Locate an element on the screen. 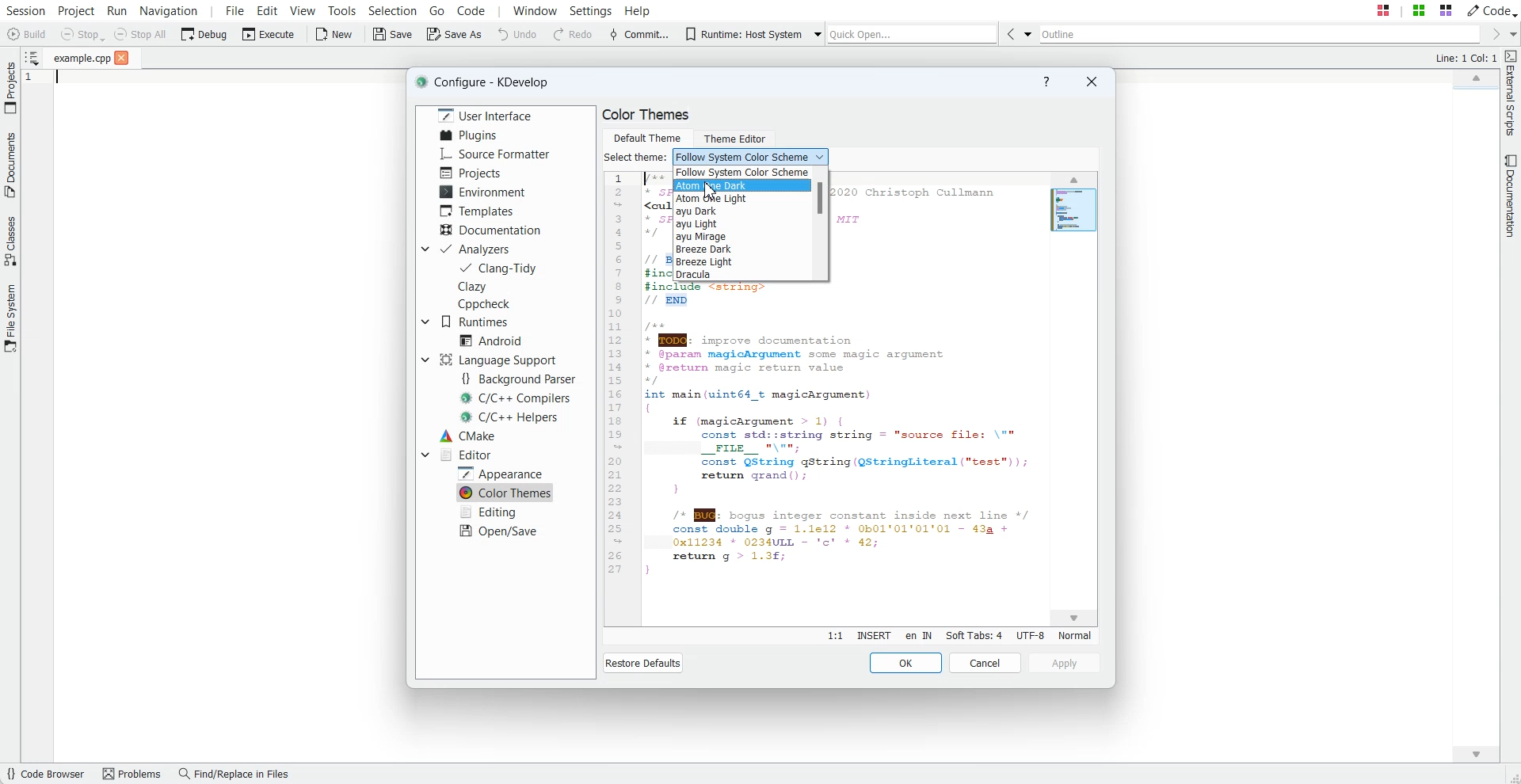 The image size is (1521, 784). Follow System color scheme is located at coordinates (751, 157).